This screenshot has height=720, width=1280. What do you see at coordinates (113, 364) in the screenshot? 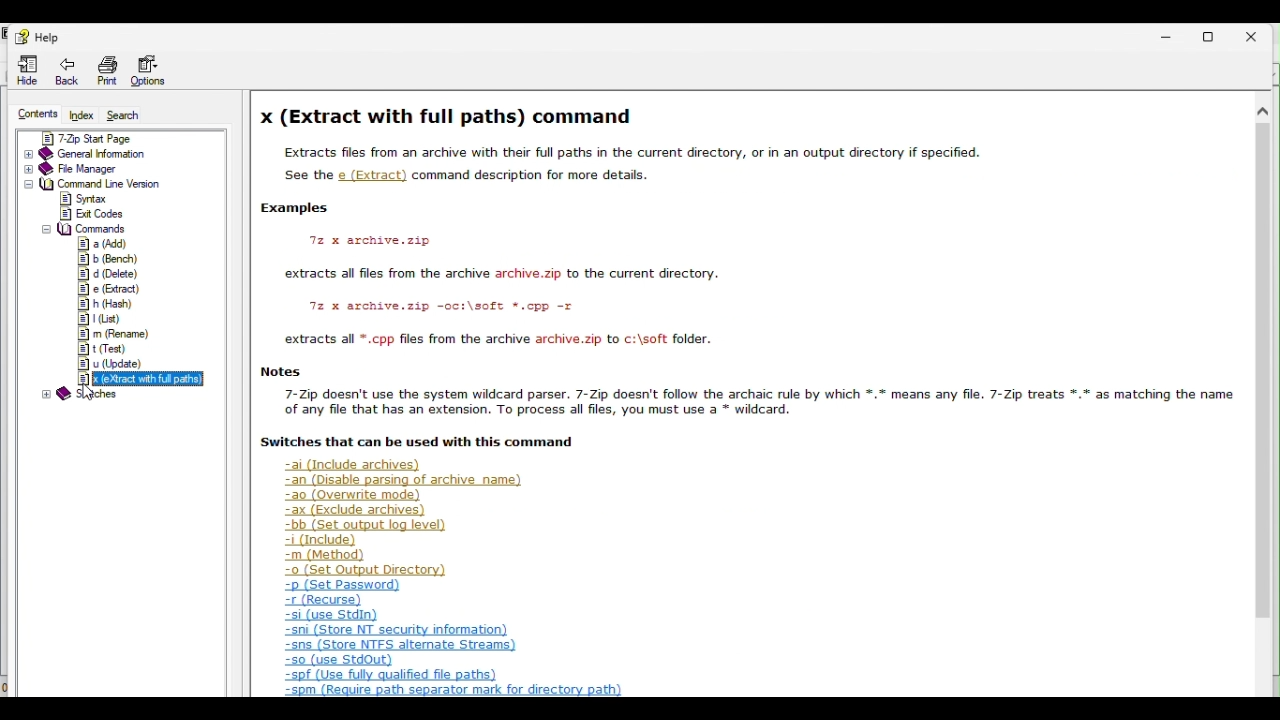
I see `u (Update)` at bounding box center [113, 364].